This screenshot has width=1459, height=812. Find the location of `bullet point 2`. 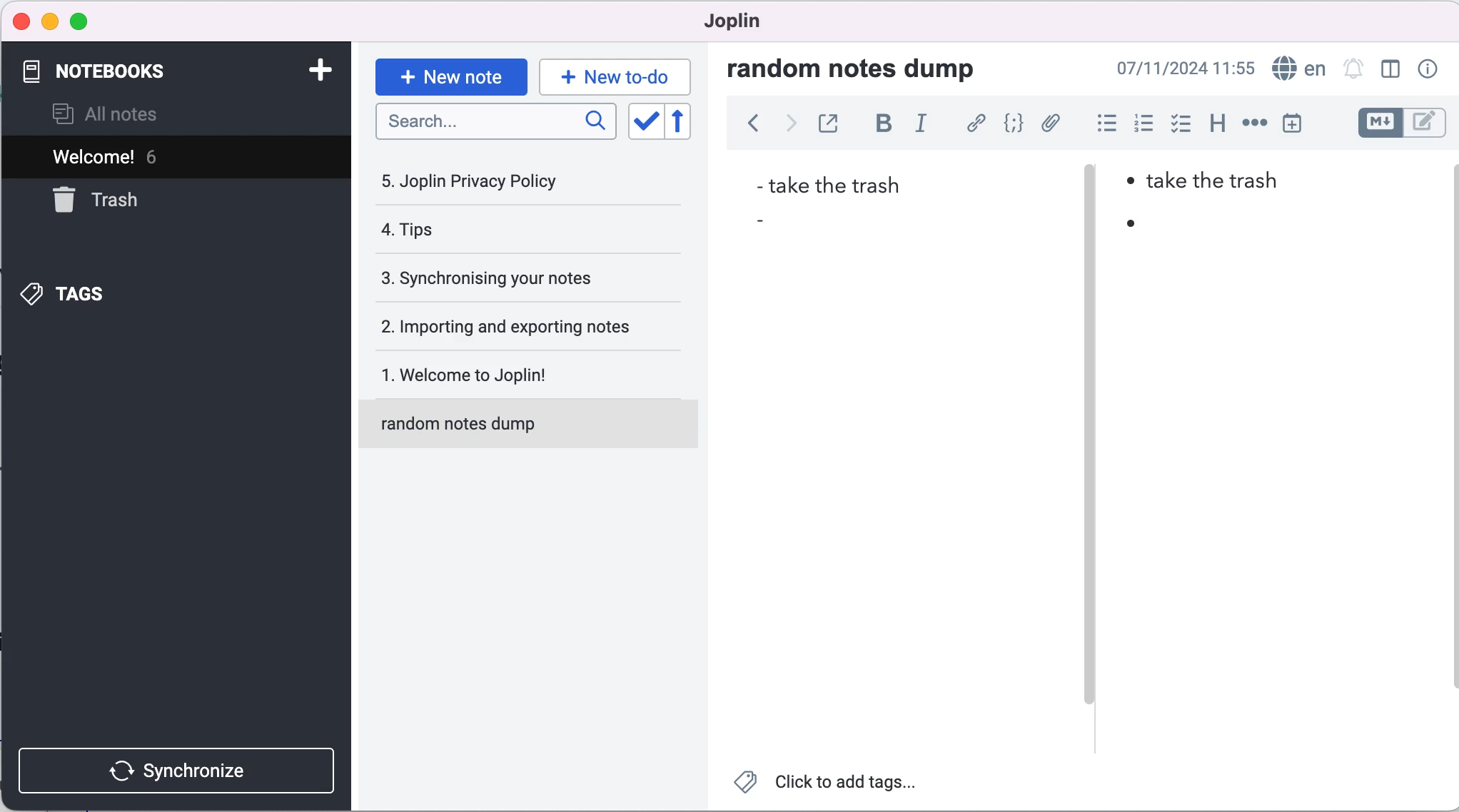

bullet point 2 is located at coordinates (1129, 228).